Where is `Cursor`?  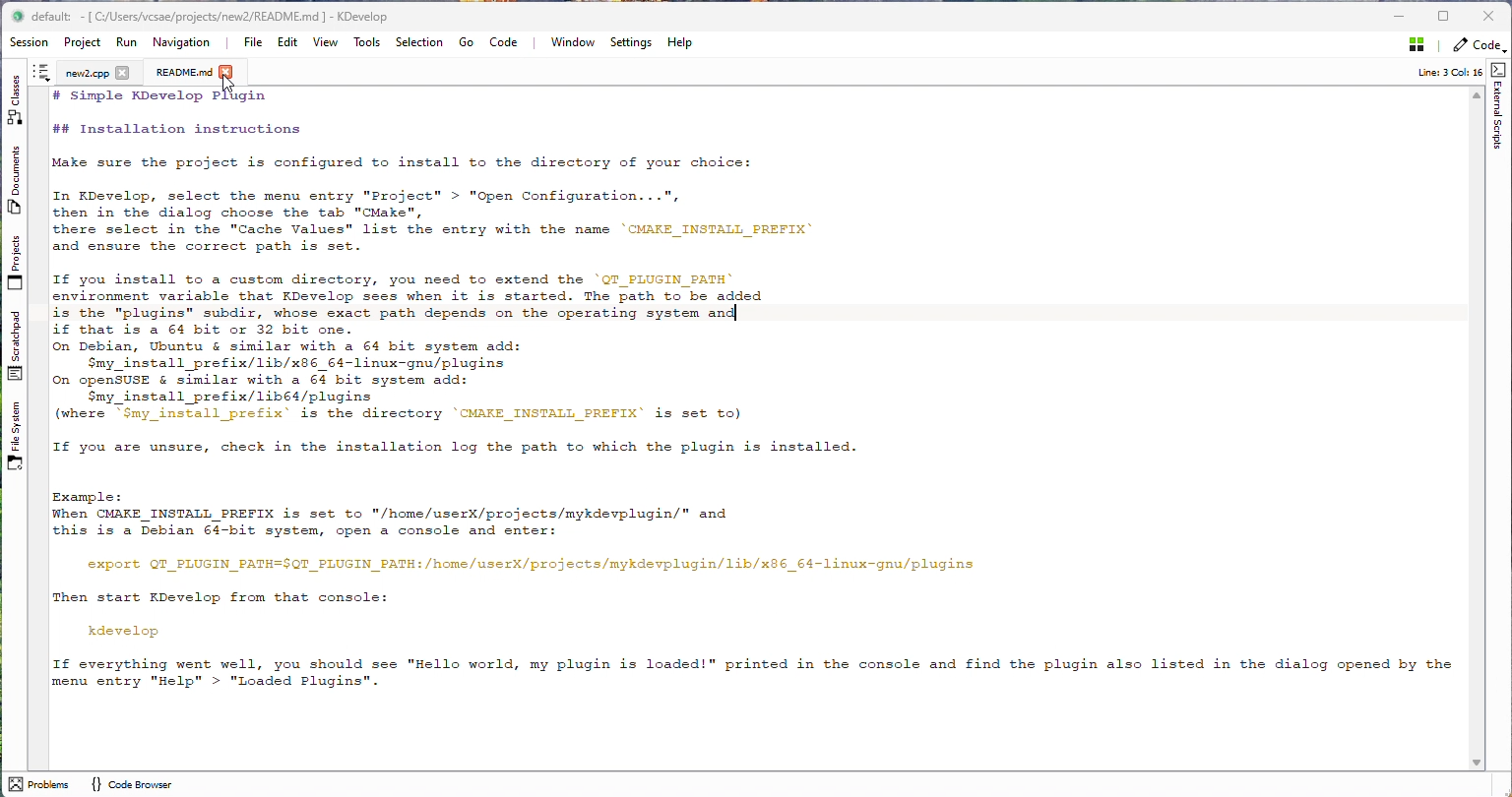 Cursor is located at coordinates (227, 84).